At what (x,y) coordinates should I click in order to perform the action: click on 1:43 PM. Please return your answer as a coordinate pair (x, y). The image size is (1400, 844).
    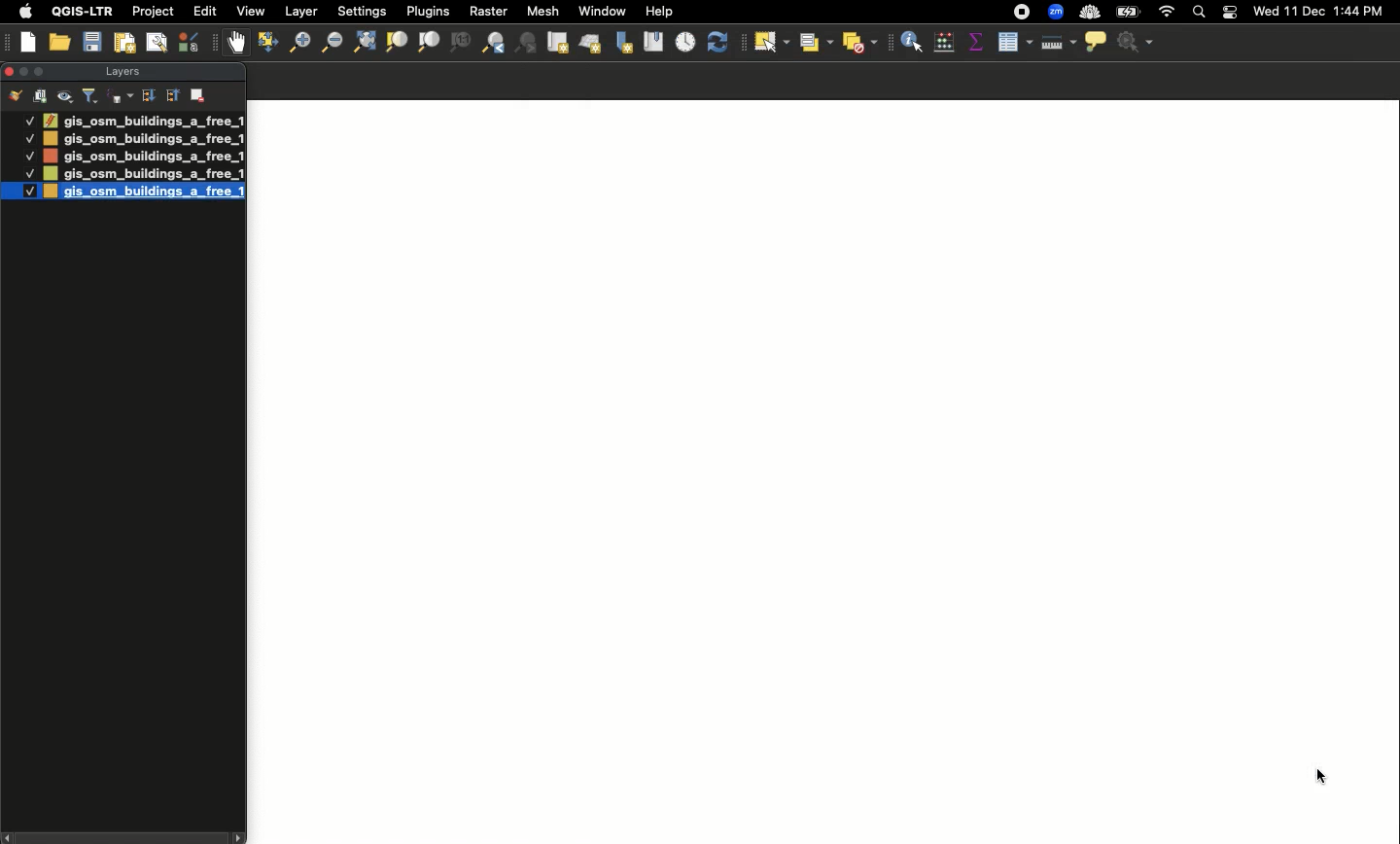
    Looking at the image, I should click on (1361, 11).